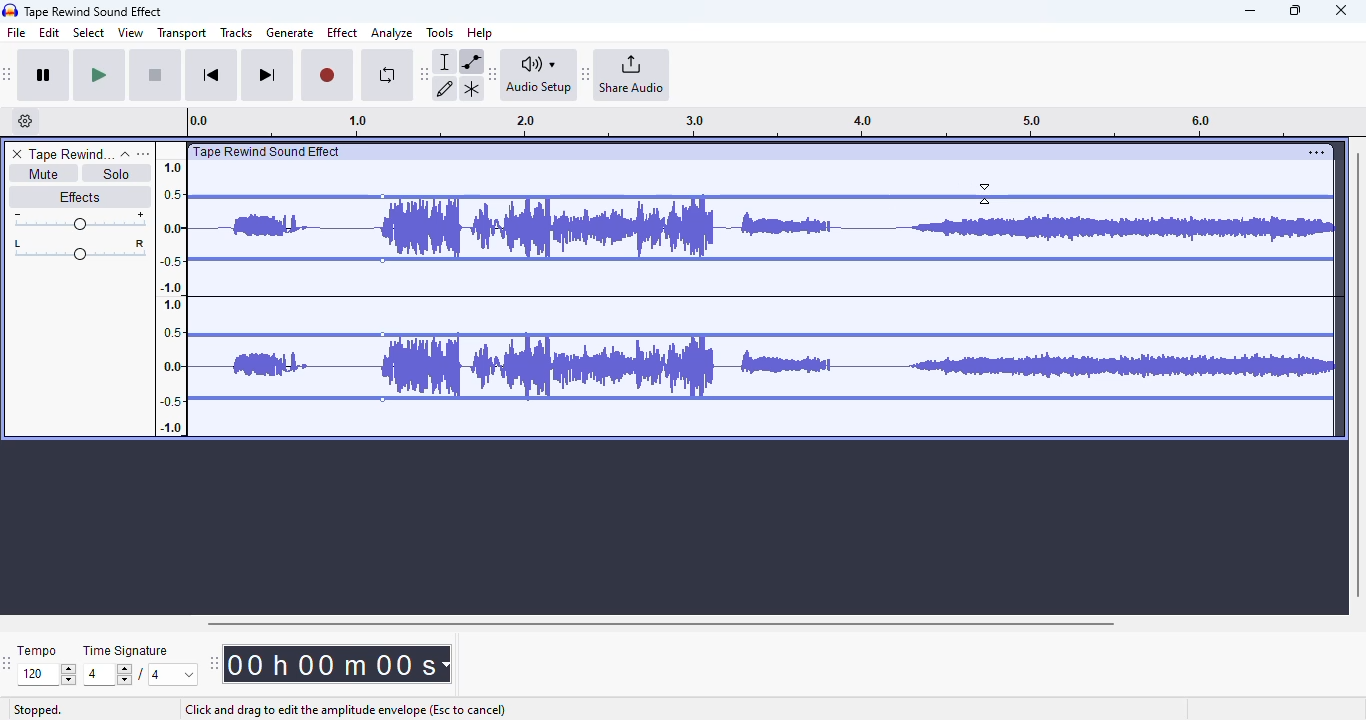  I want to click on minimize, so click(1250, 11).